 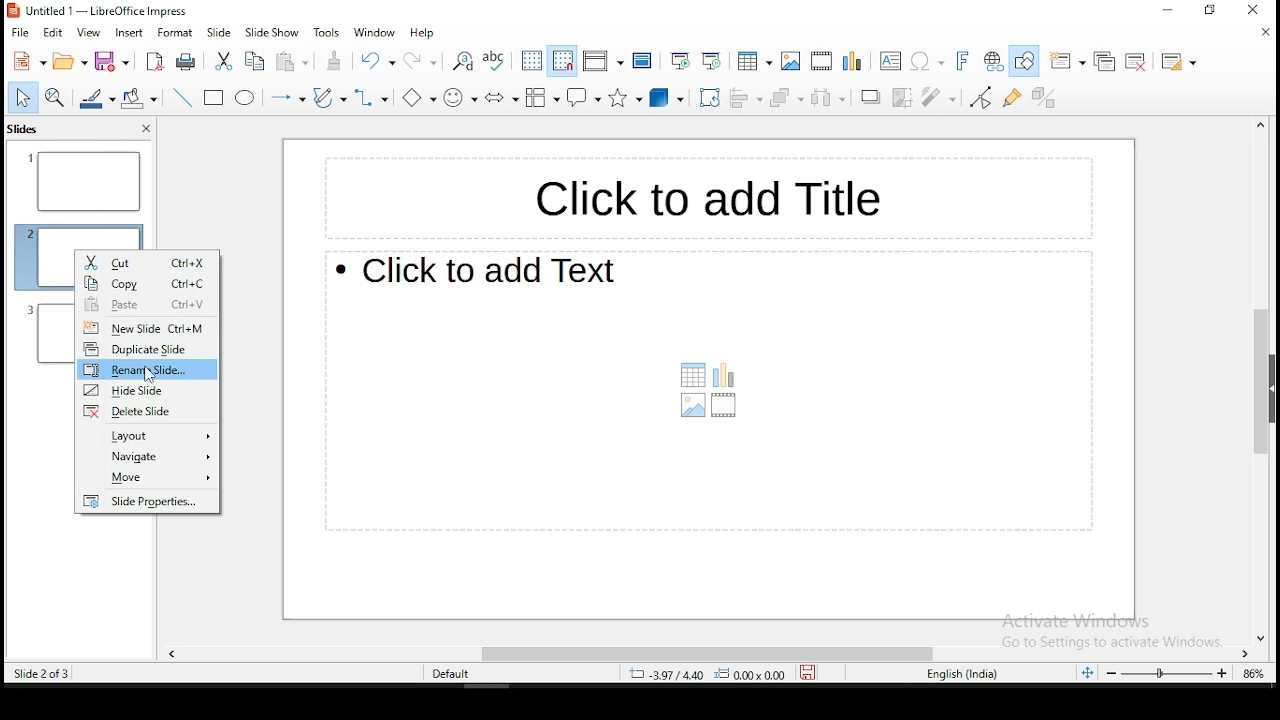 I want to click on new, so click(x=28, y=60).